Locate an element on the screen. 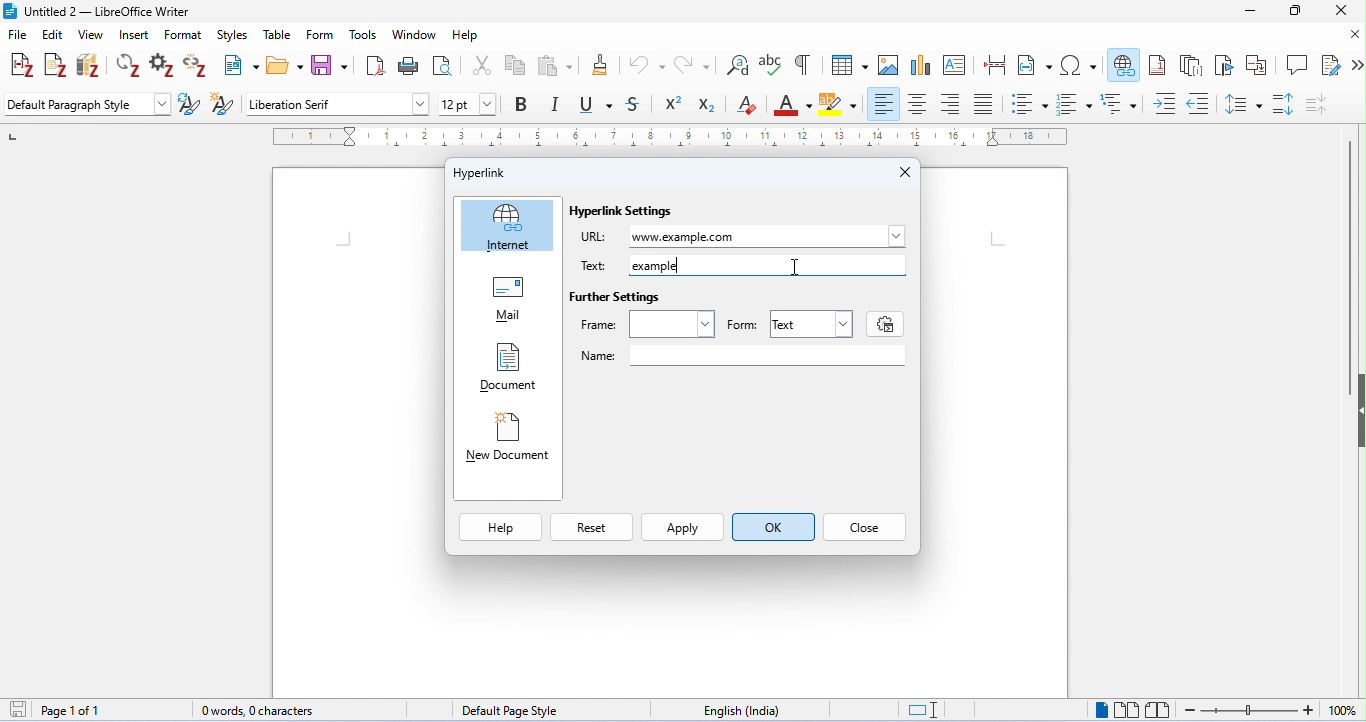 Image resolution: width=1366 pixels, height=722 pixels. superscript is located at coordinates (674, 104).